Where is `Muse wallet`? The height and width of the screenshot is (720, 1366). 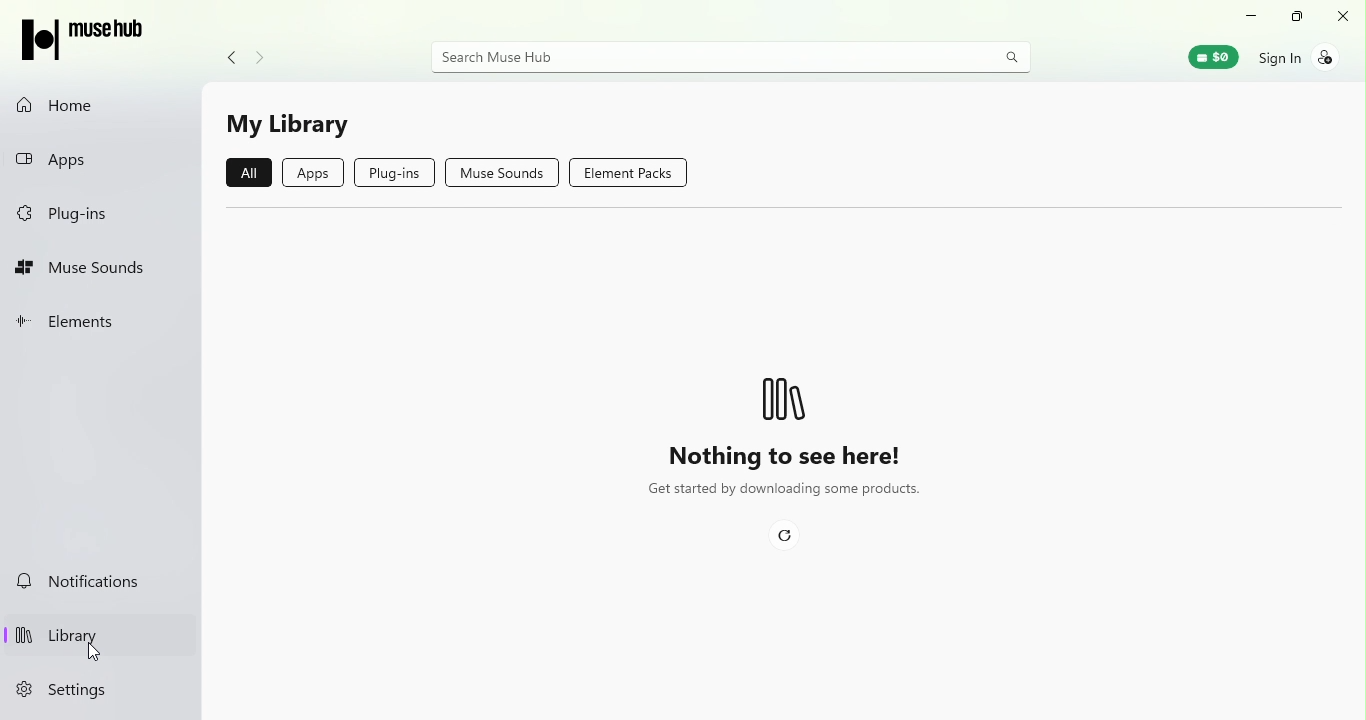
Muse wallet is located at coordinates (1207, 56).